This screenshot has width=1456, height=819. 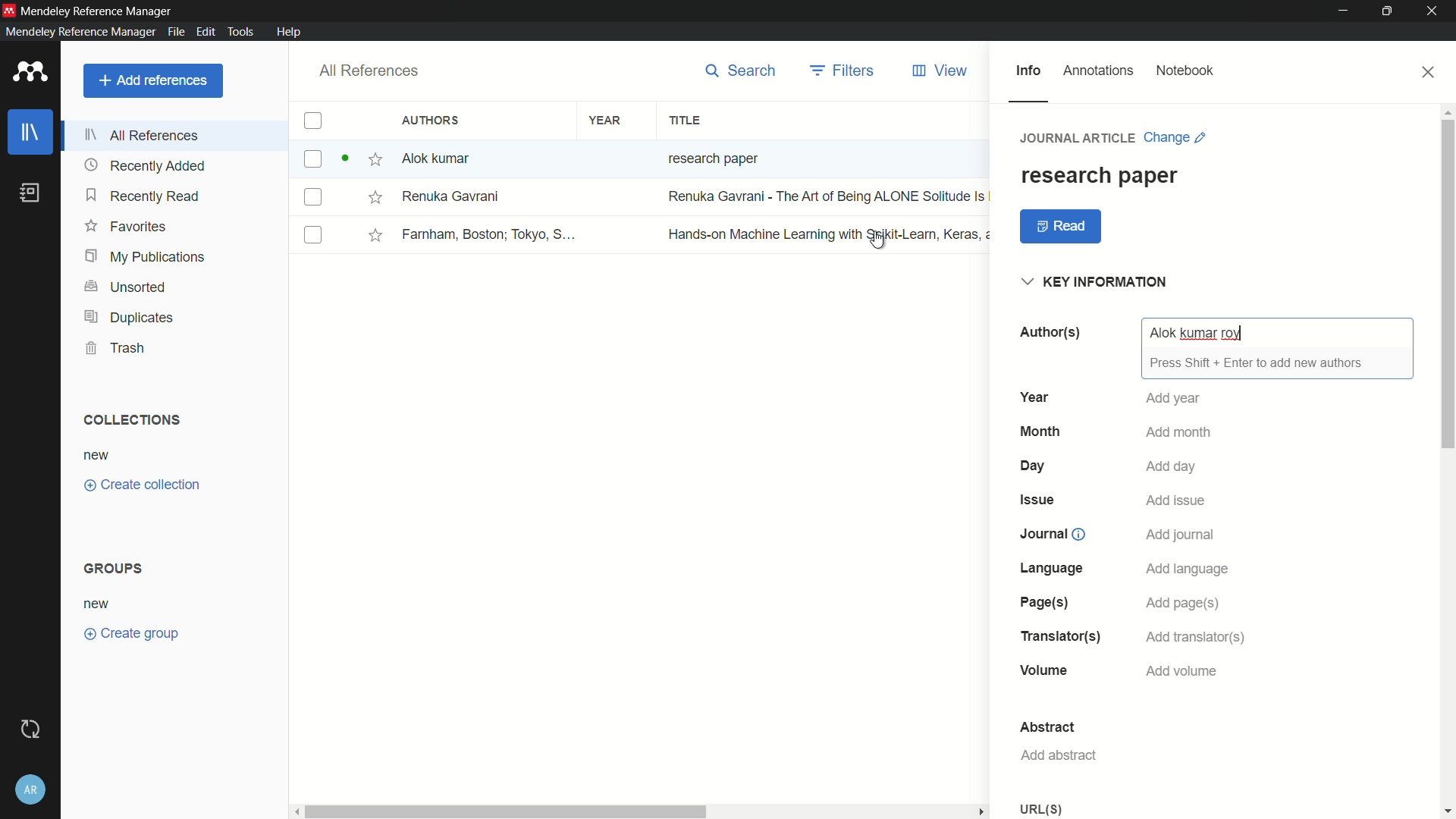 I want to click on Year, so click(x=1034, y=397).